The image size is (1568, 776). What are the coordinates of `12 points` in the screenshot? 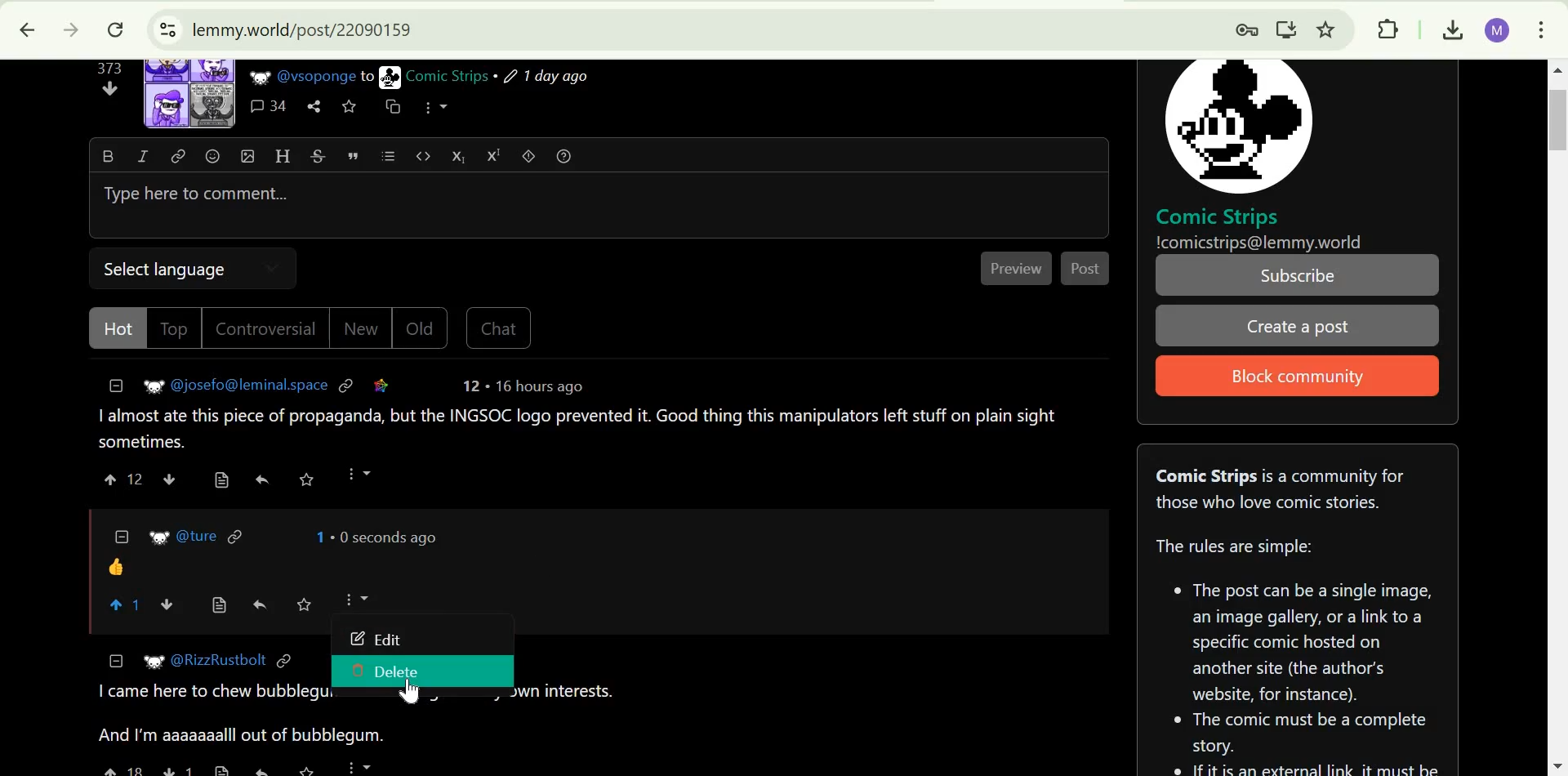 It's located at (136, 479).